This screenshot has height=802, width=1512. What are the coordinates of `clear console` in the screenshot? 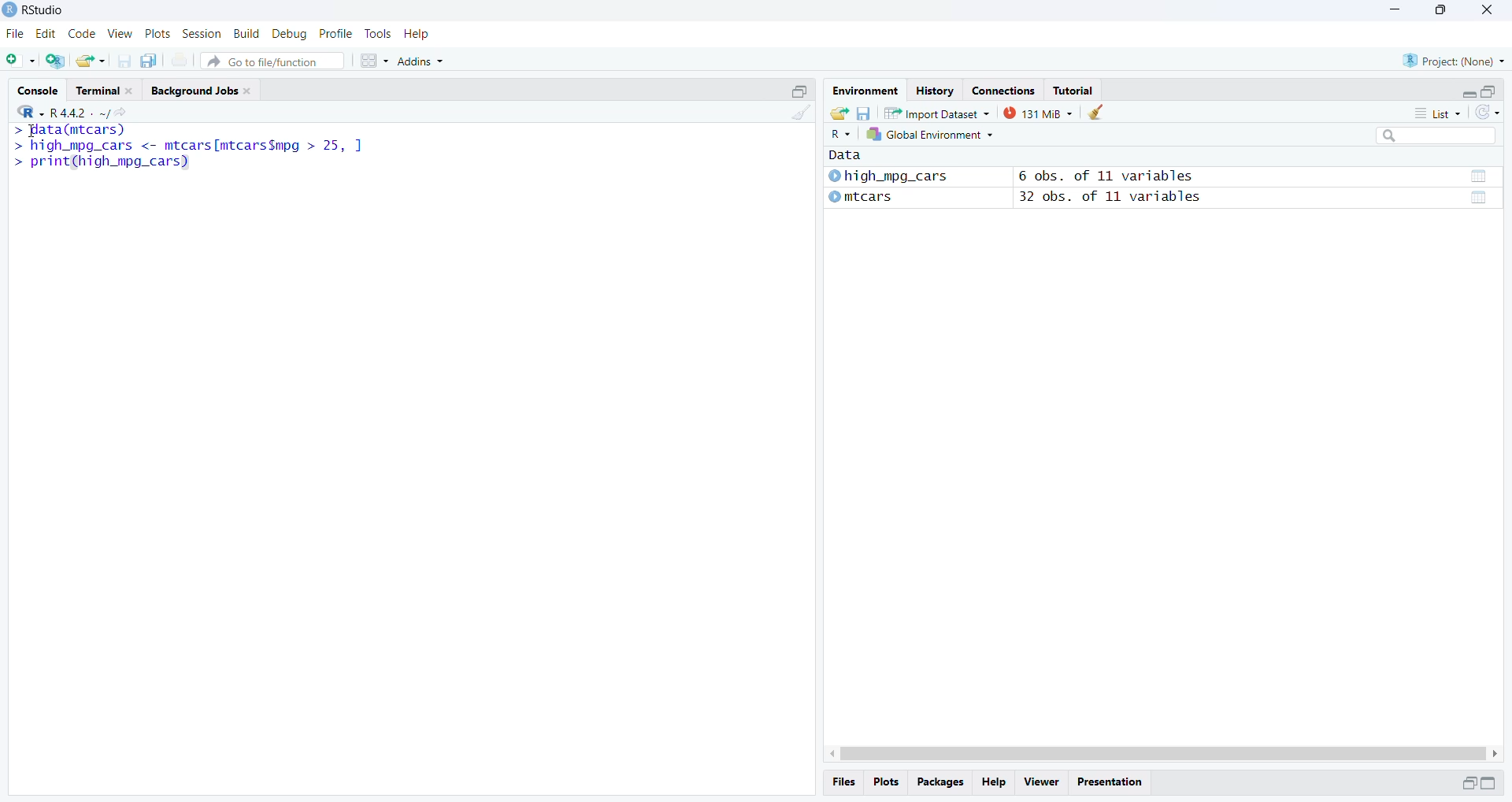 It's located at (799, 112).